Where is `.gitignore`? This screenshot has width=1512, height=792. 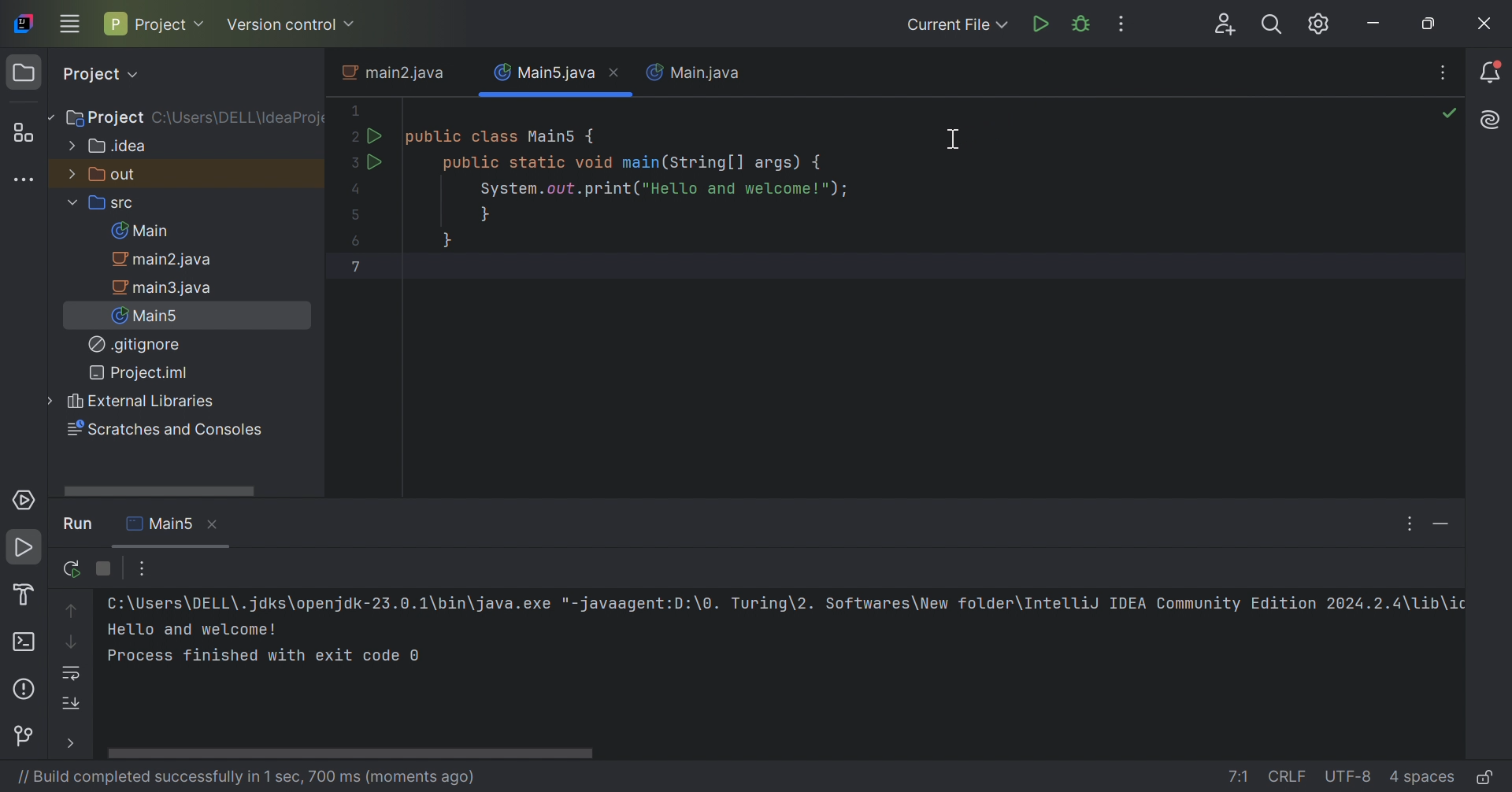
.gitignore is located at coordinates (133, 344).